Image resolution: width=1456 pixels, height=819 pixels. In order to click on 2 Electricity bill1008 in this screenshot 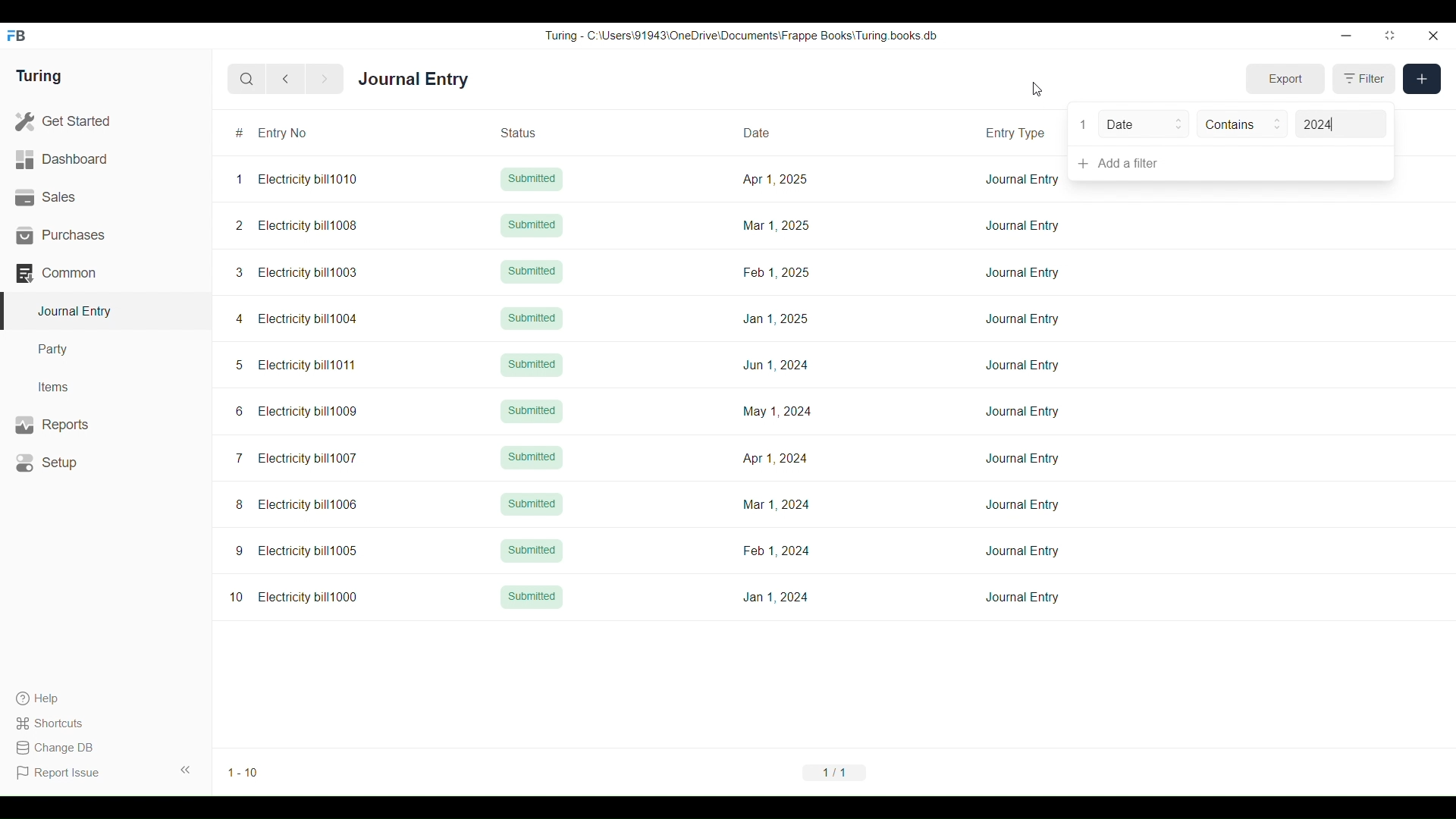, I will do `click(297, 225)`.